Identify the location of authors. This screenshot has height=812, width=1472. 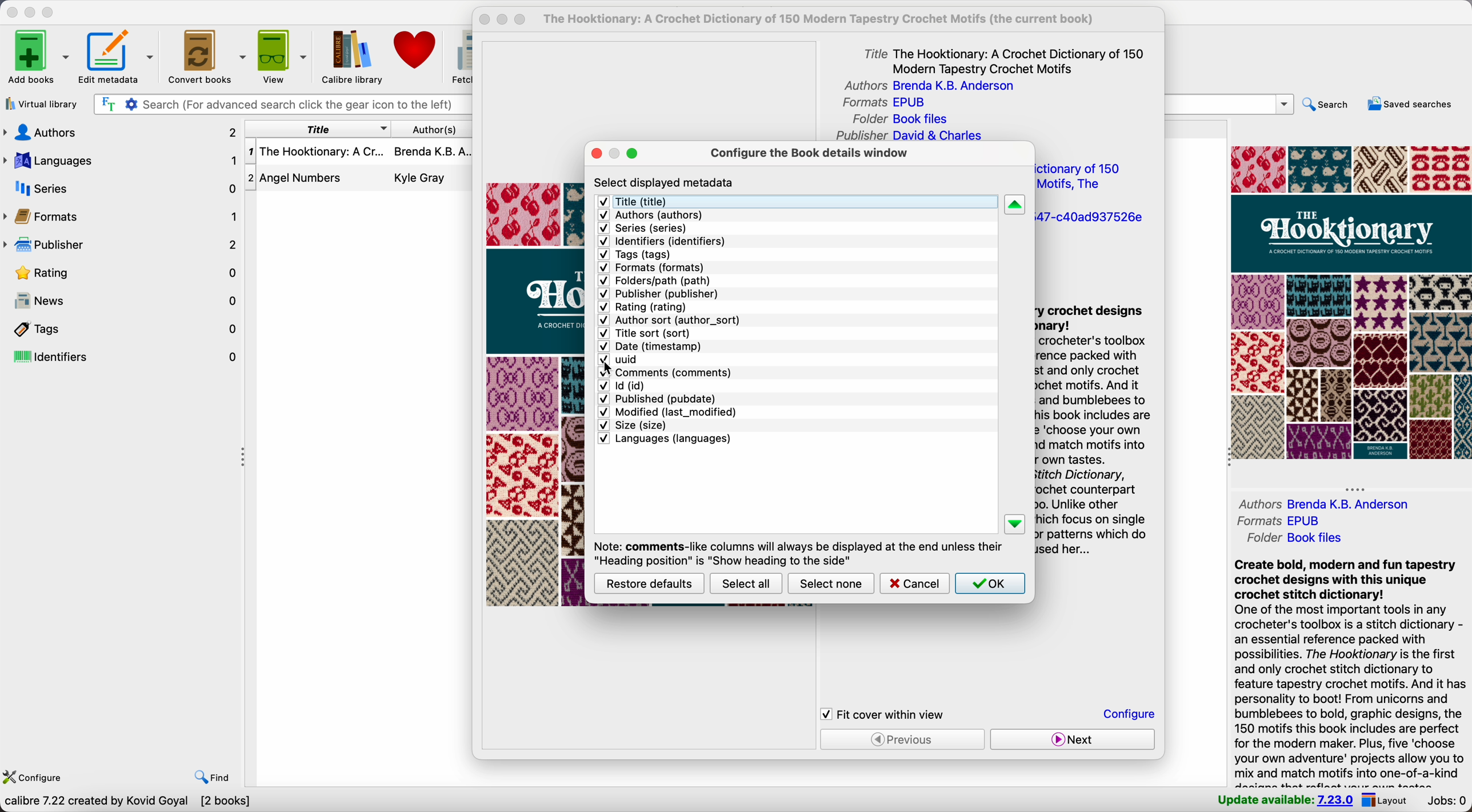
(122, 132).